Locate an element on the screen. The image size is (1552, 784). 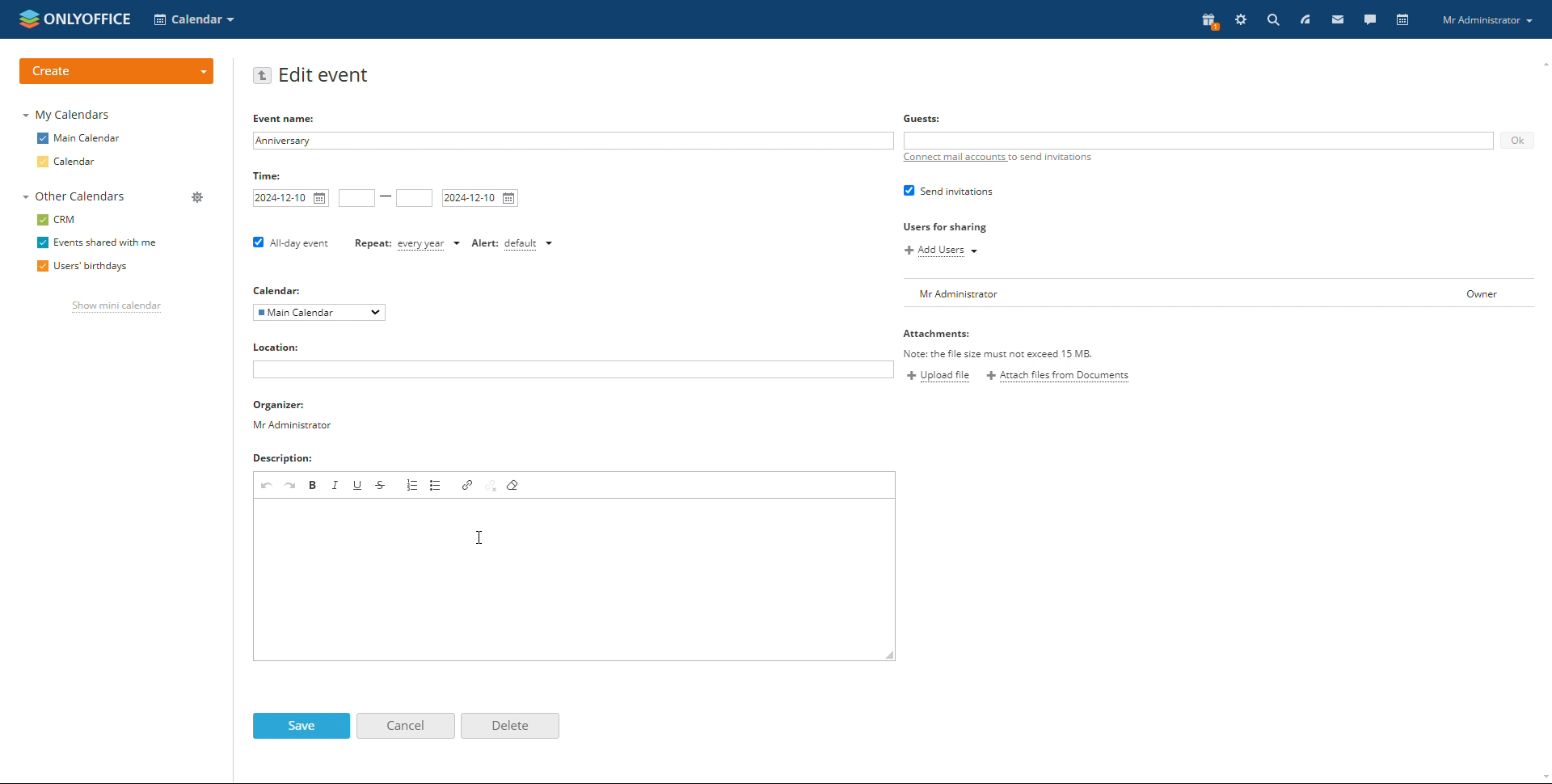
undo is located at coordinates (266, 485).